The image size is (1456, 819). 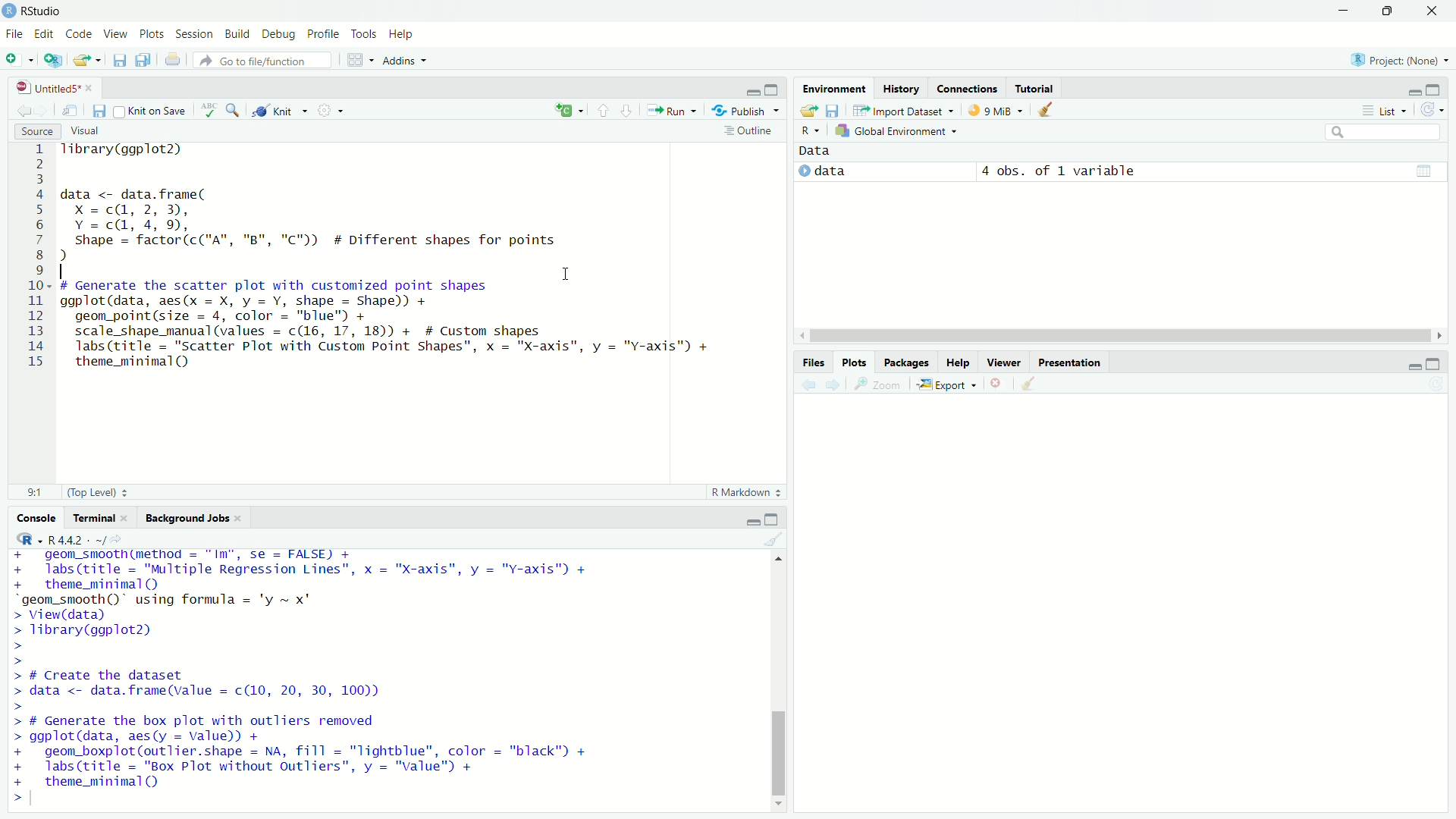 I want to click on History, so click(x=900, y=88).